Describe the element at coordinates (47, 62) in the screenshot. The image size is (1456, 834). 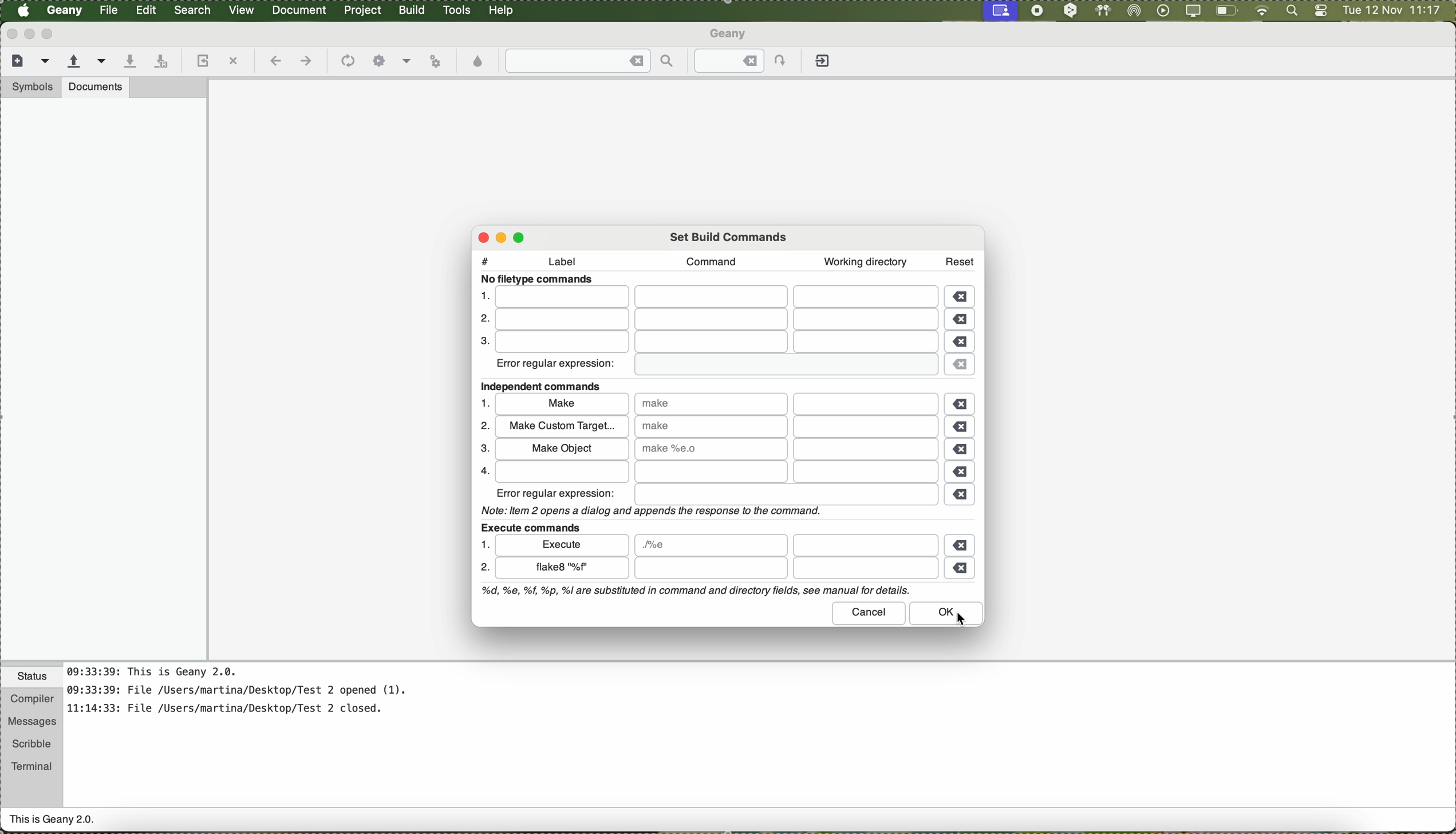
I see `create a new file from a template` at that location.